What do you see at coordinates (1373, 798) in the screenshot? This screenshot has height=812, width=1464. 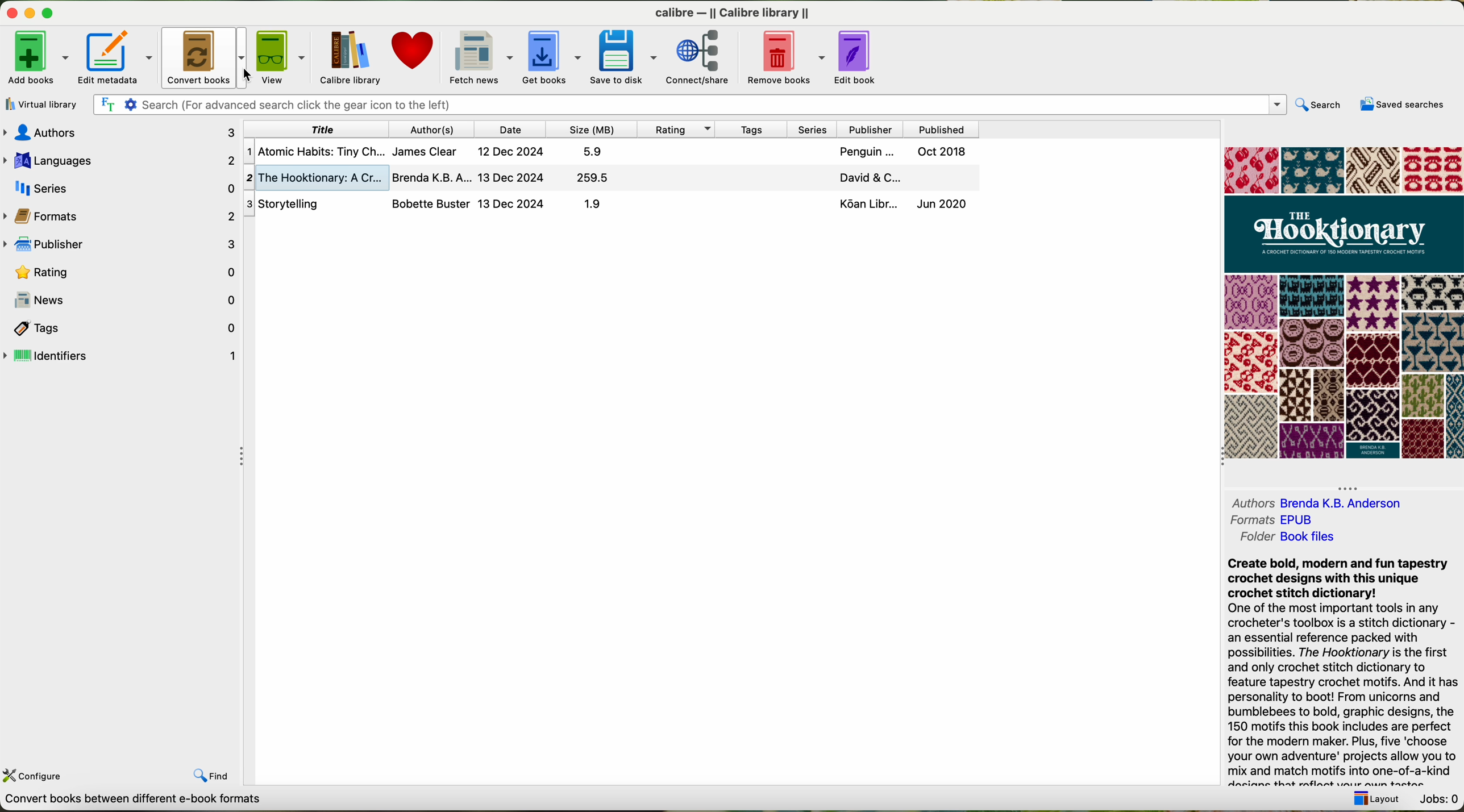 I see `layout` at bounding box center [1373, 798].